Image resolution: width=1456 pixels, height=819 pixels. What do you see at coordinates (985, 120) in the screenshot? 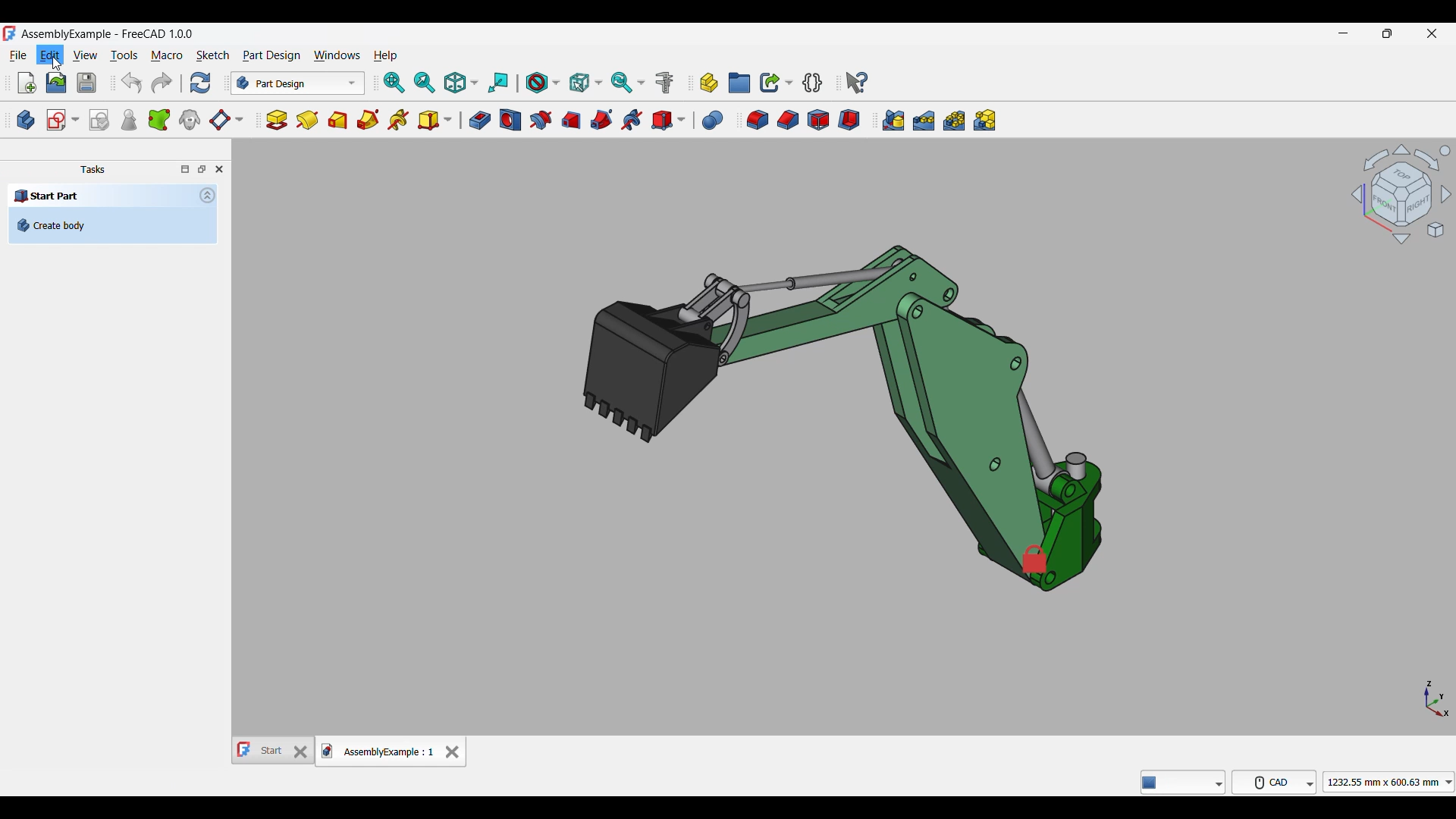
I see `Create multitransform` at bounding box center [985, 120].